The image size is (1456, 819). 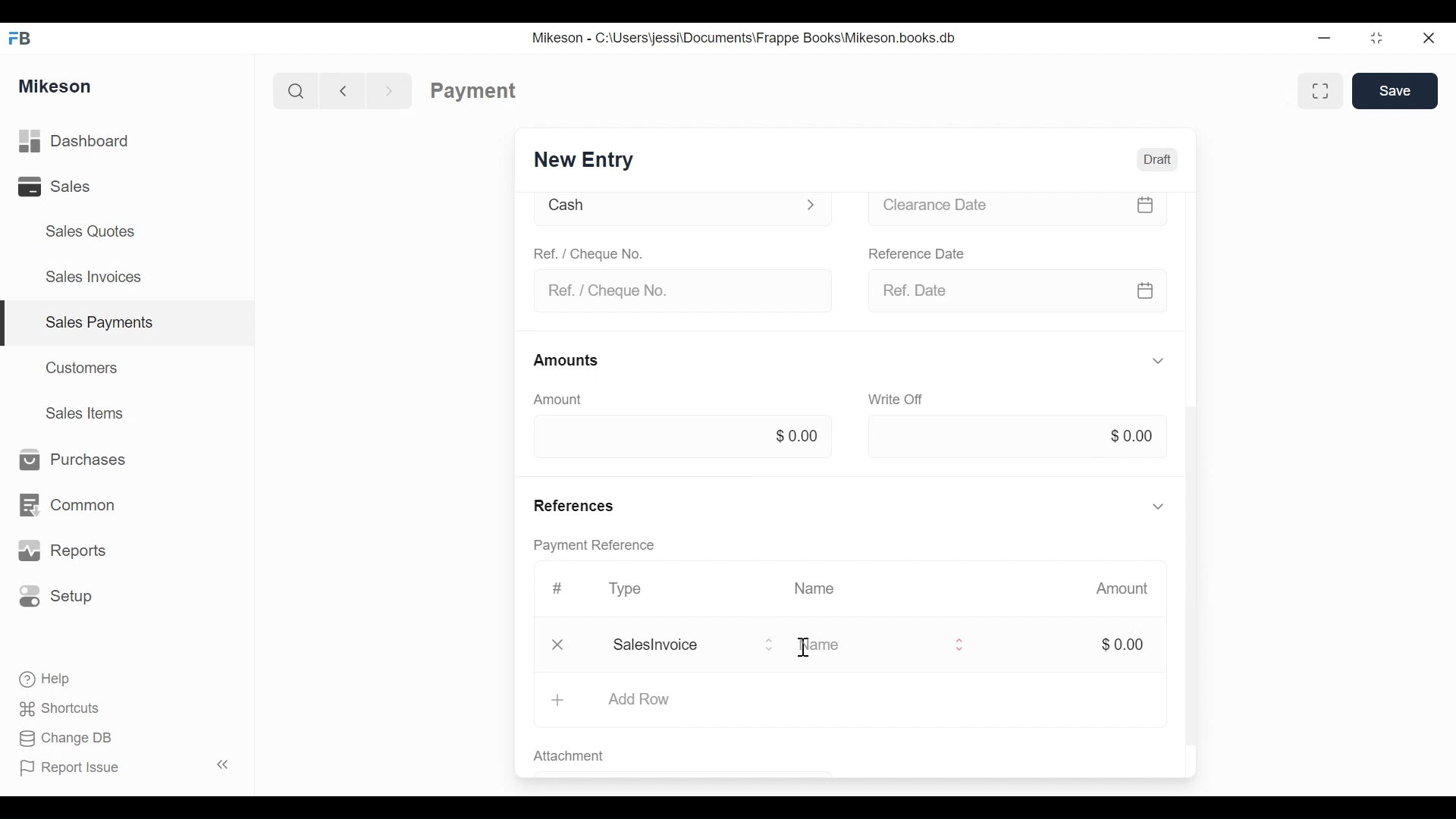 I want to click on Payment, so click(x=472, y=89).